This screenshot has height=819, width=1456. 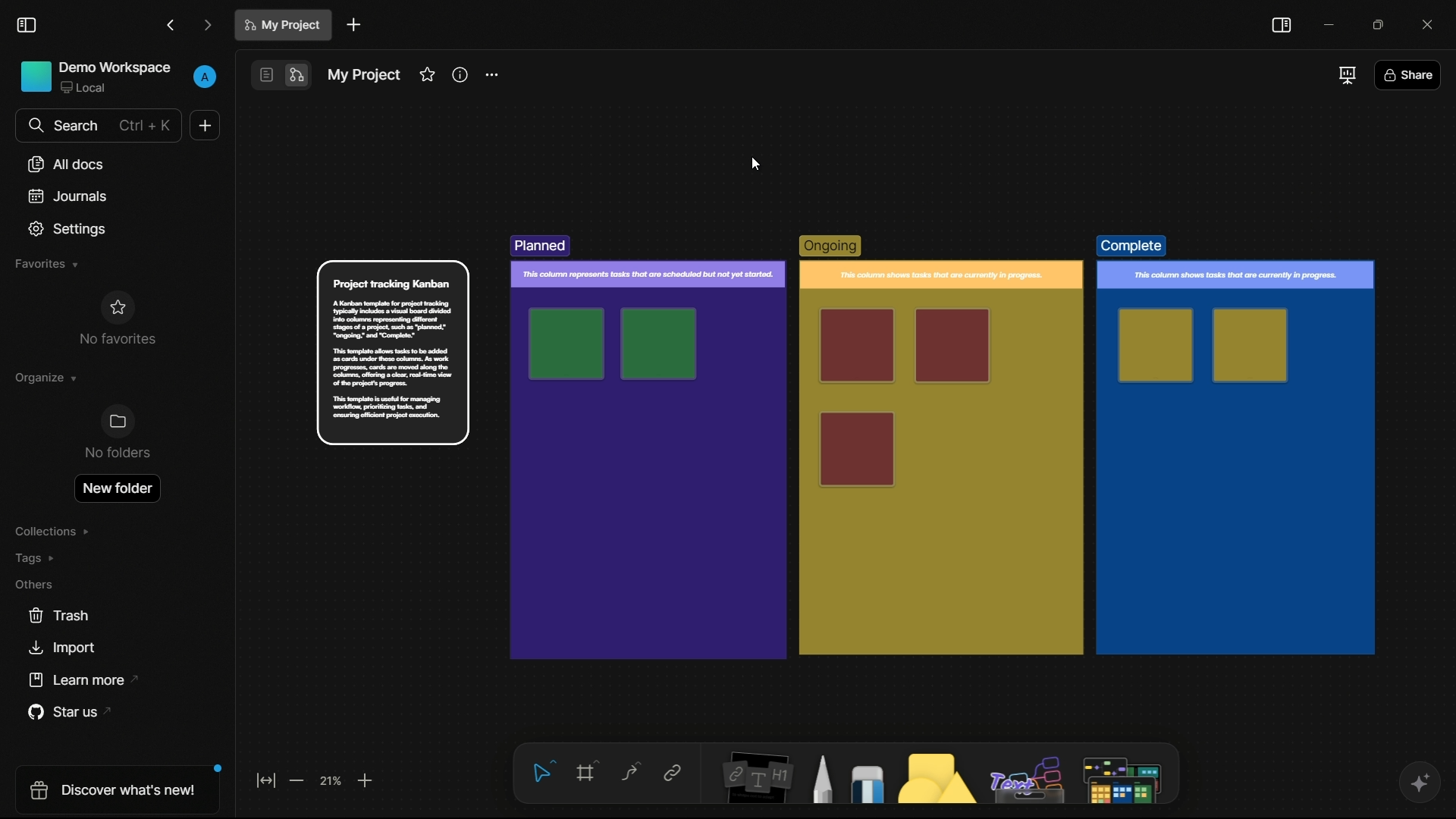 I want to click on tags, so click(x=36, y=558).